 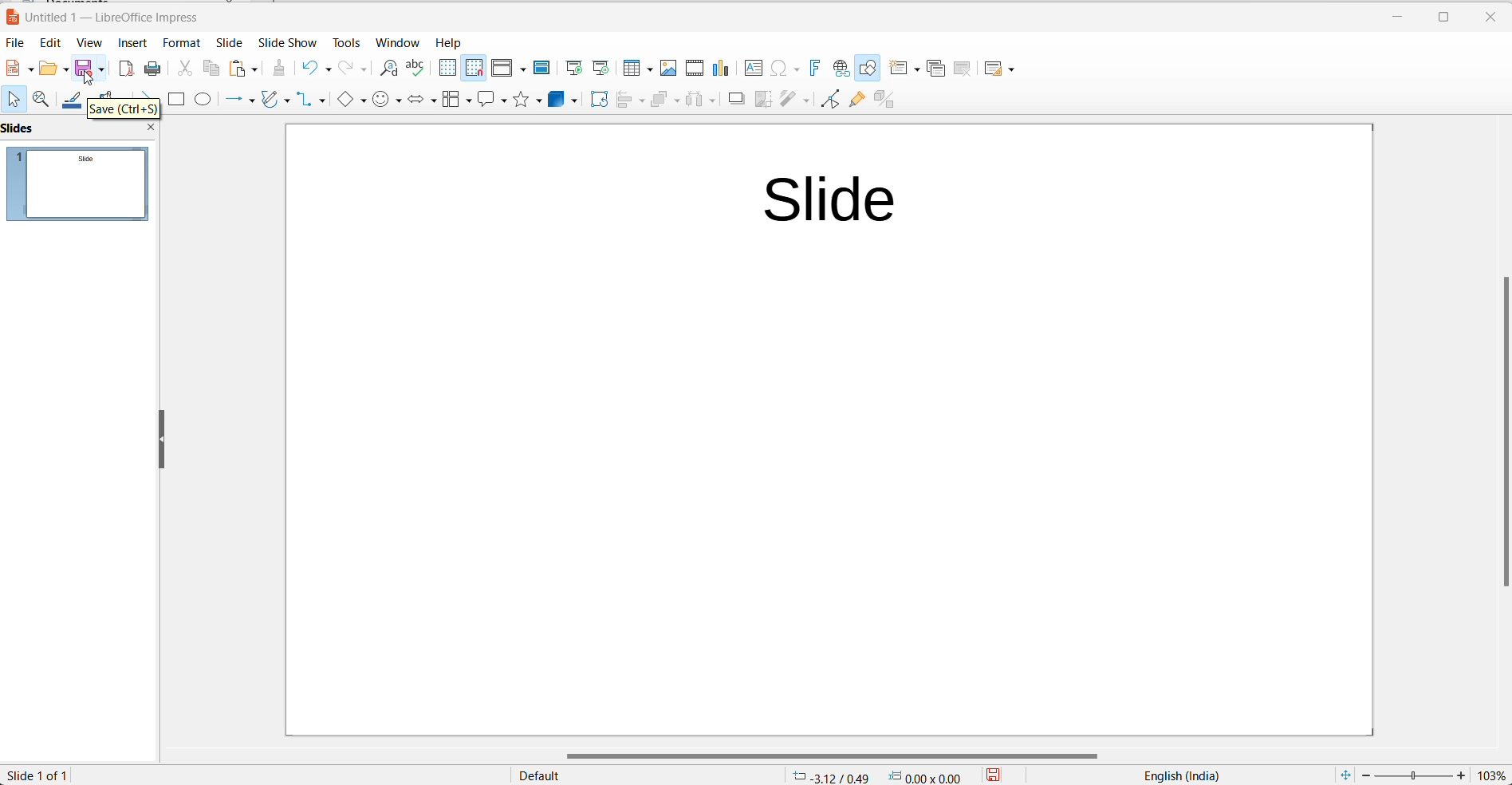 I want to click on window, so click(x=400, y=42).